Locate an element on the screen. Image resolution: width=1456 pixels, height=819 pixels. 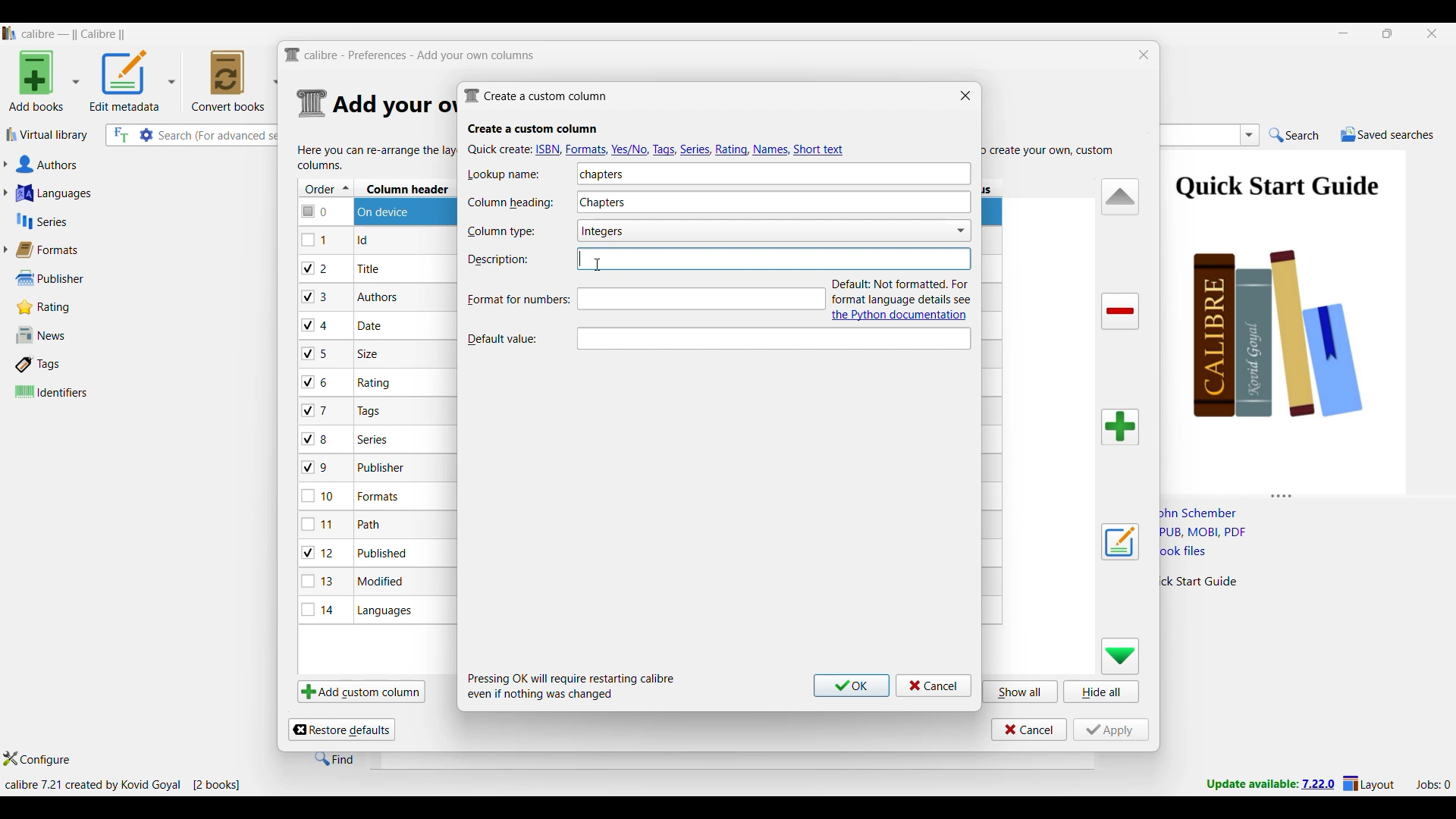
Close window is located at coordinates (1144, 55).